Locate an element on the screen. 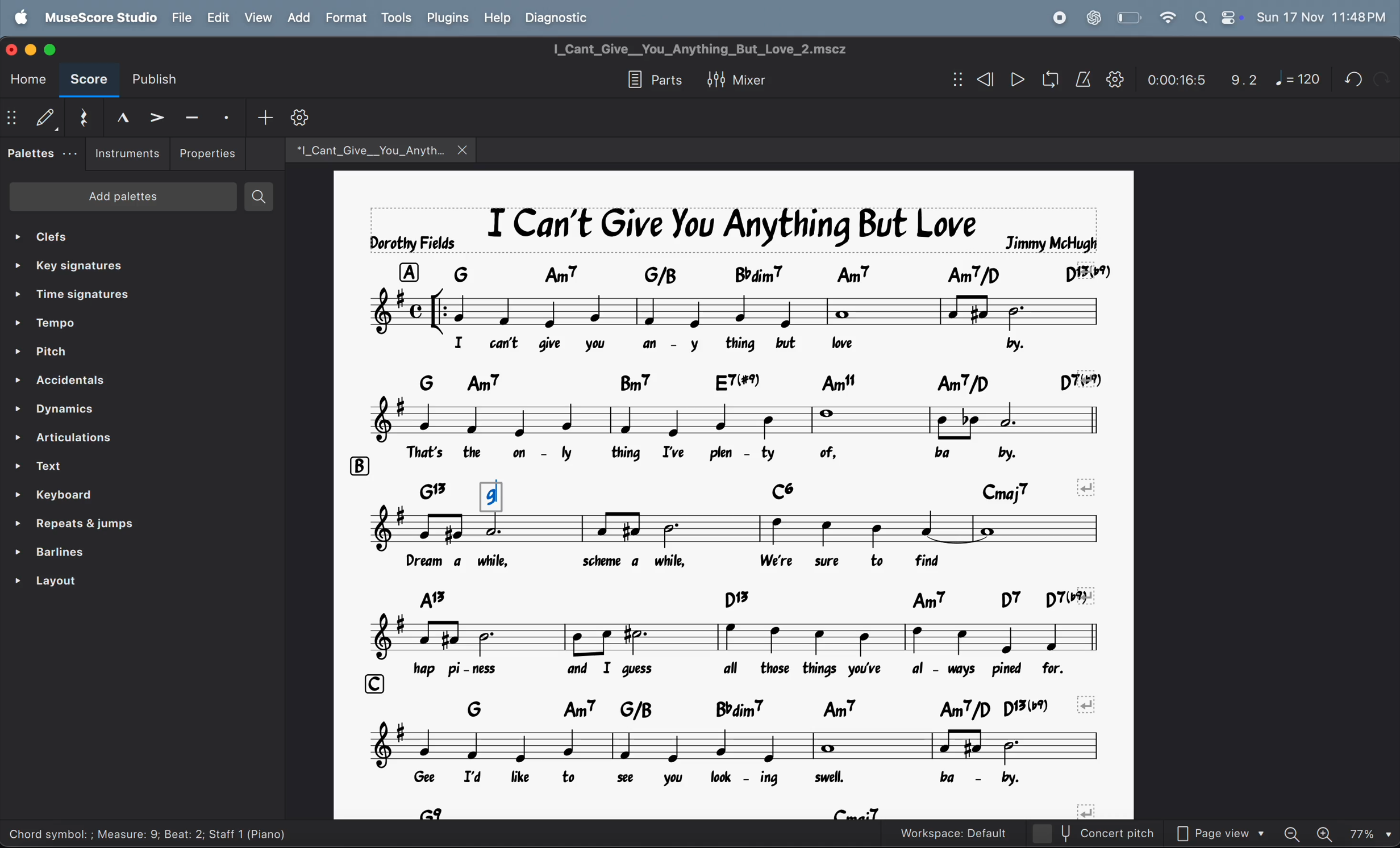 This screenshot has height=848, width=1400. 0.00.24.0 is located at coordinates (1176, 81).